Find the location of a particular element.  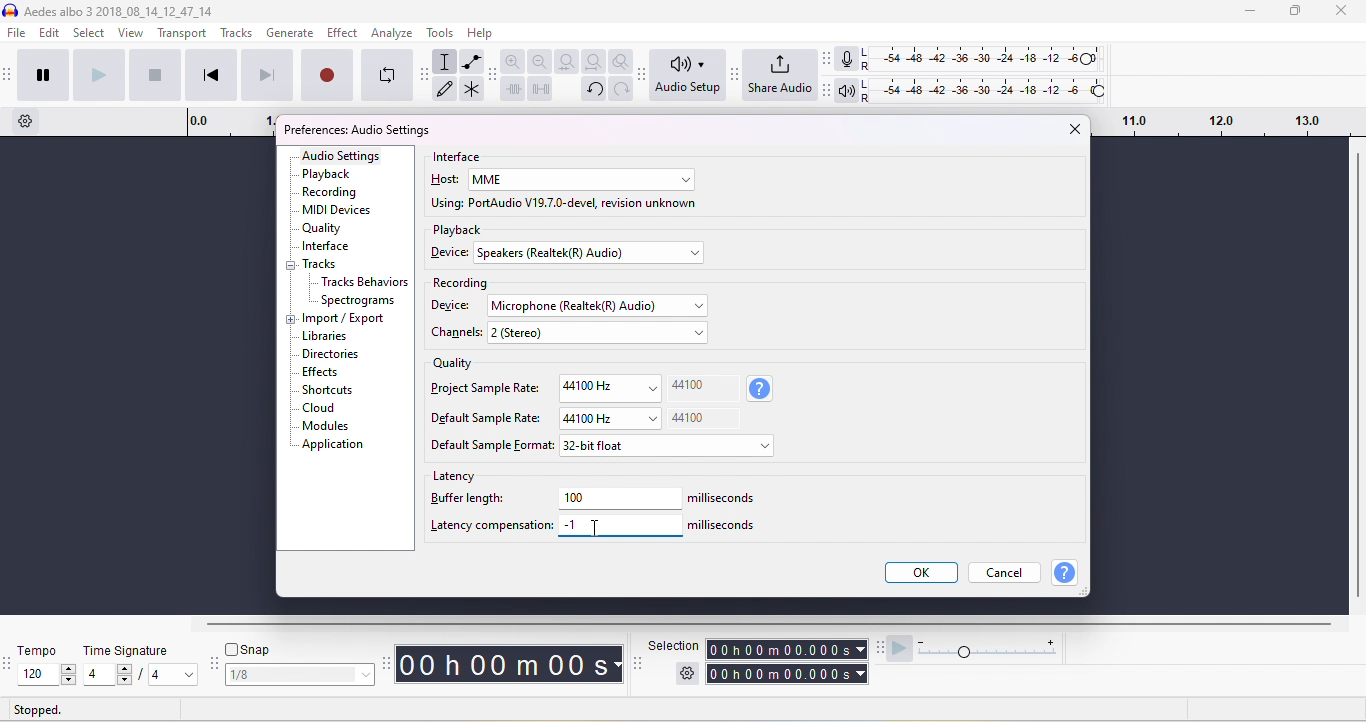

host is located at coordinates (446, 180).